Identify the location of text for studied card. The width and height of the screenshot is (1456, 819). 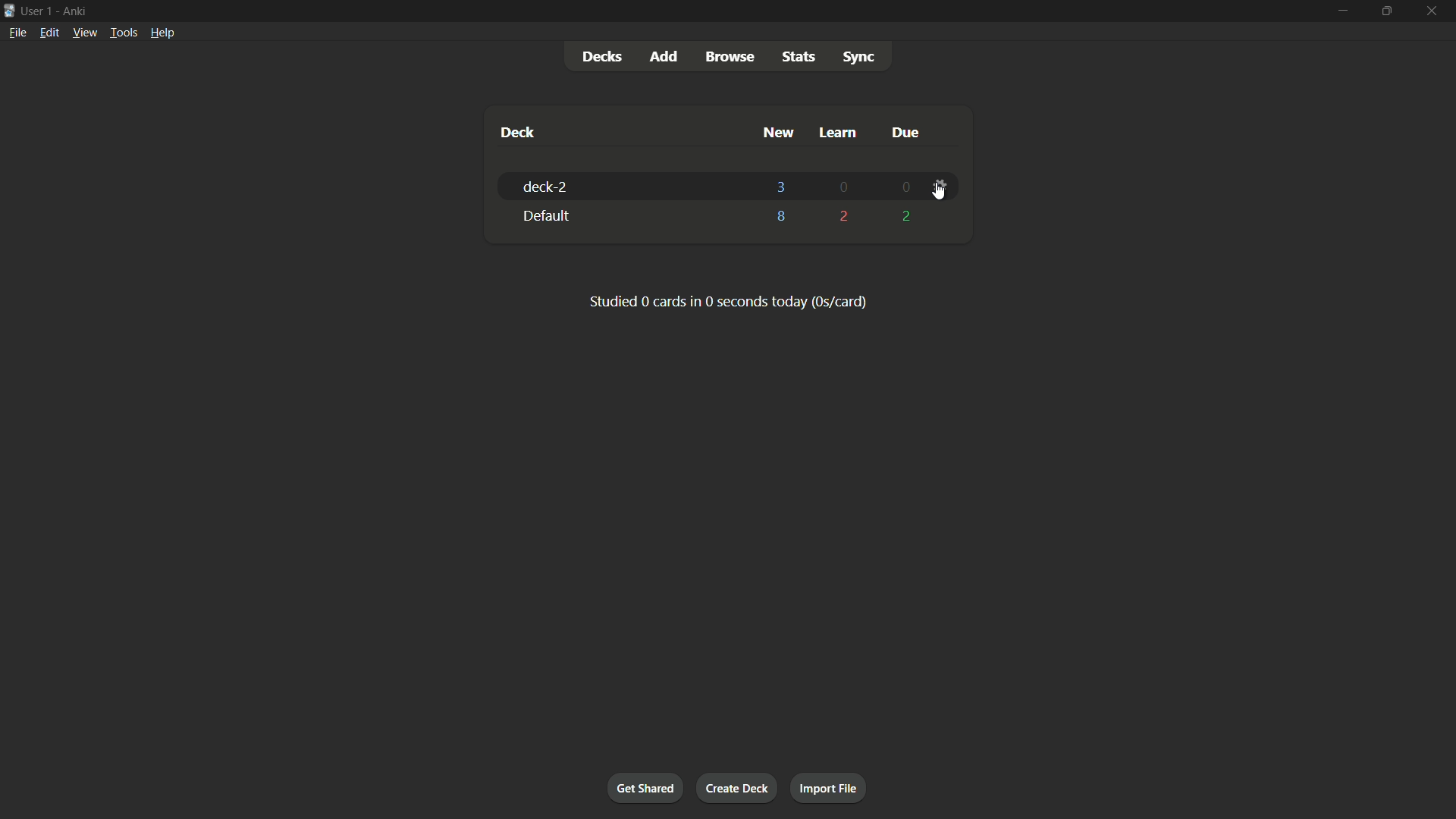
(726, 300).